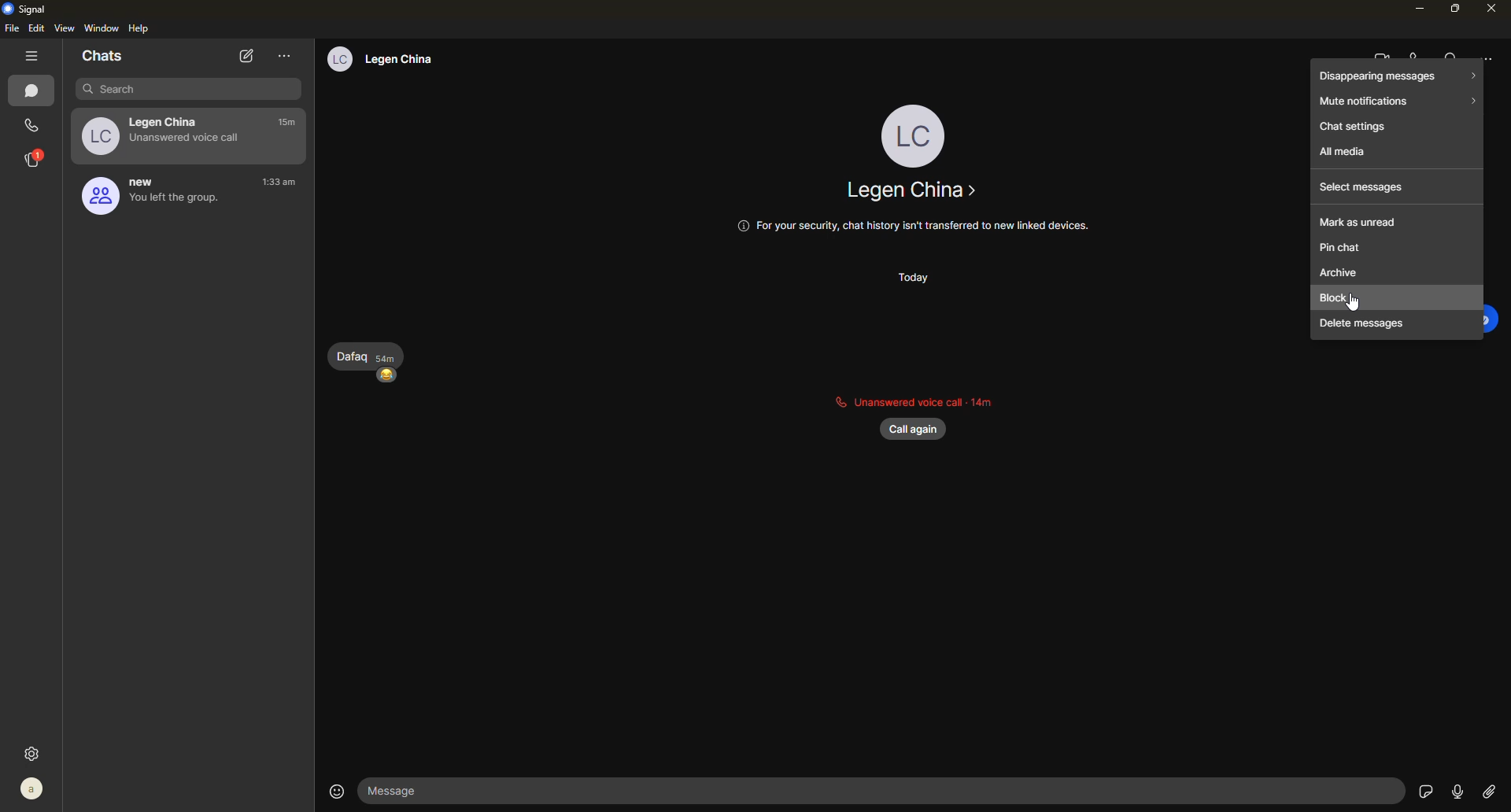 Image resolution: width=1511 pixels, height=812 pixels. Describe the element at coordinates (142, 29) in the screenshot. I see `help` at that location.